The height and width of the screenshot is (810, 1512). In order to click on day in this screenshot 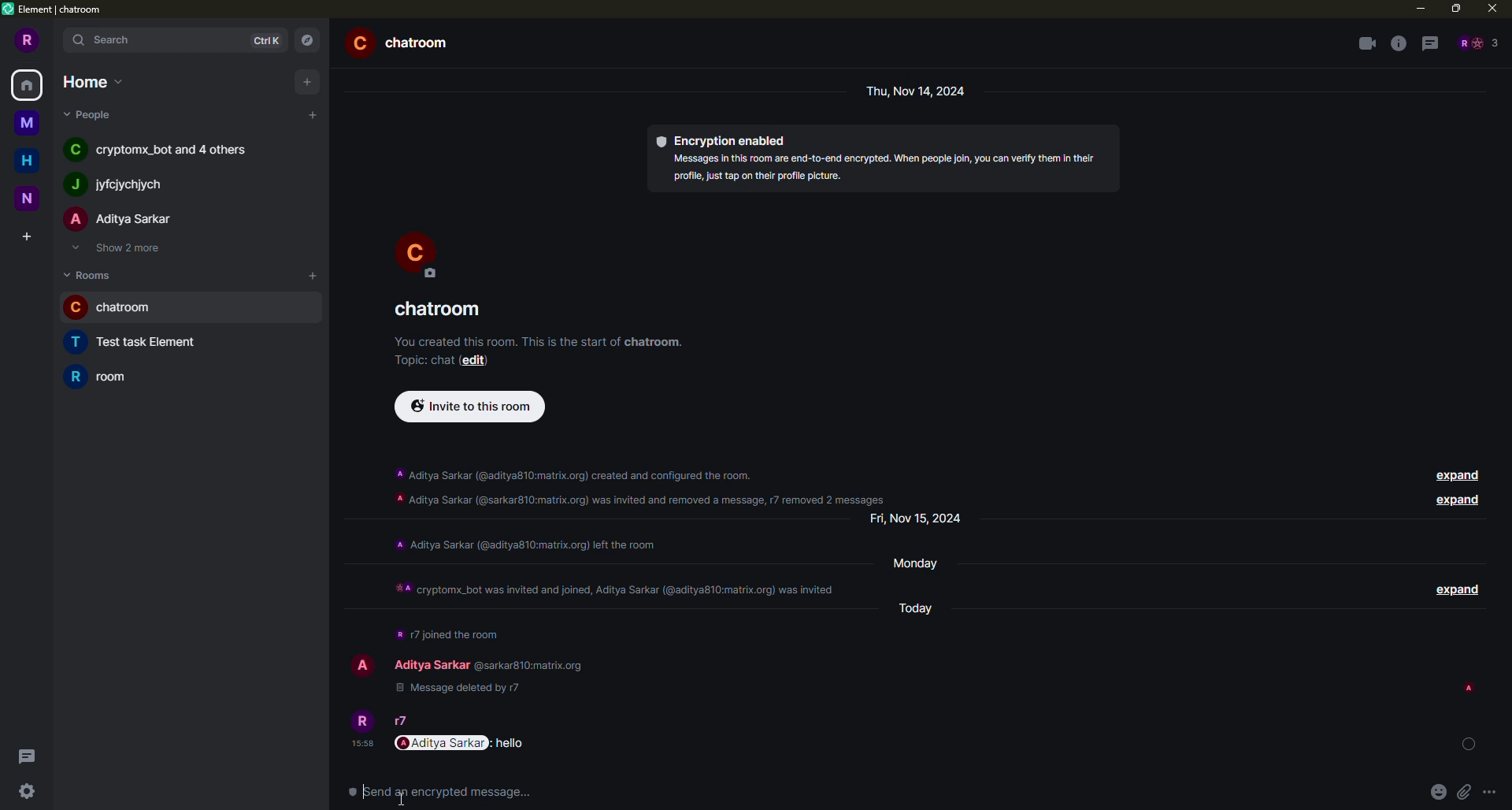, I will do `click(925, 605)`.